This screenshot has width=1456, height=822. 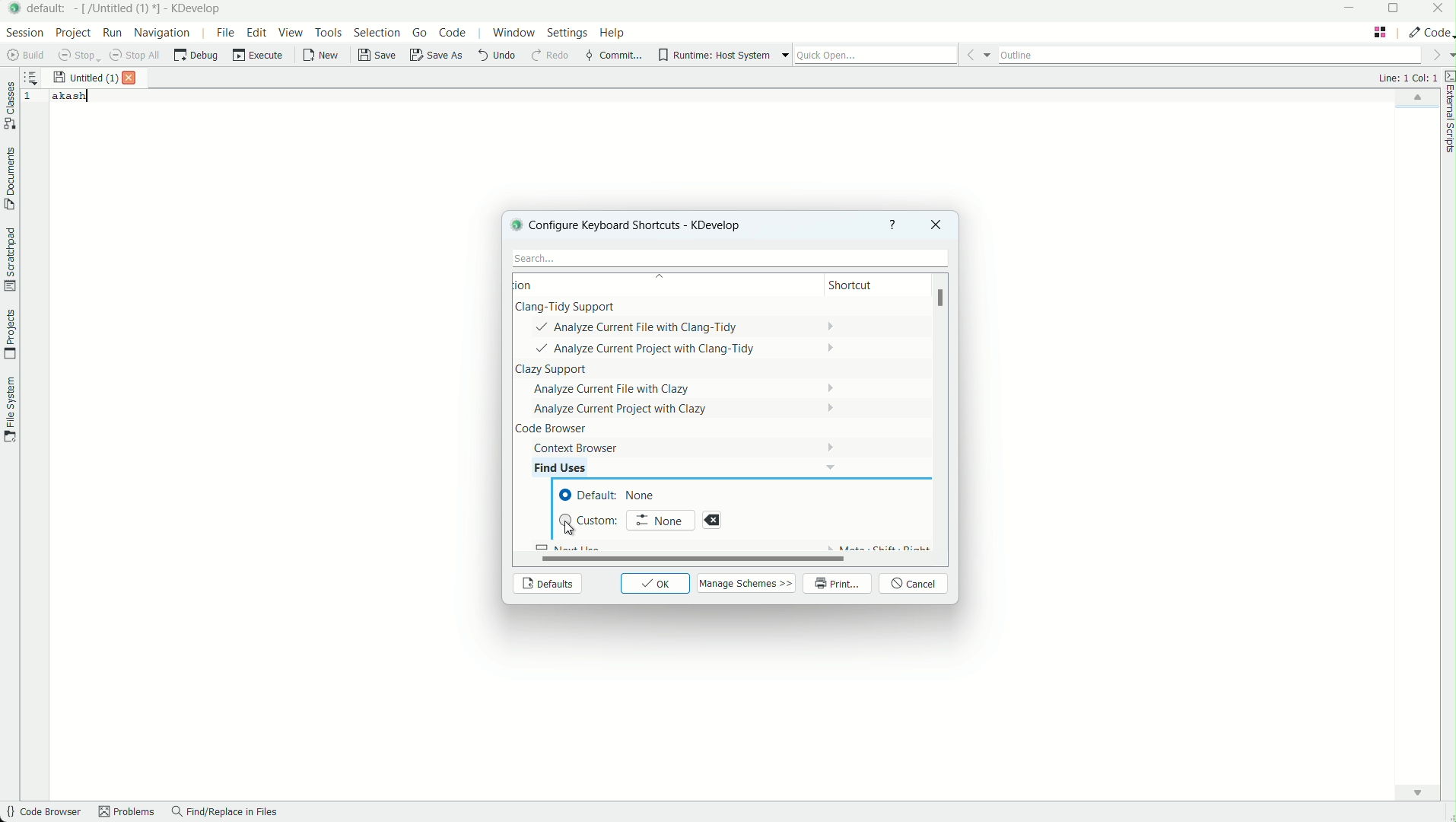 What do you see at coordinates (328, 32) in the screenshot?
I see `tools menu` at bounding box center [328, 32].